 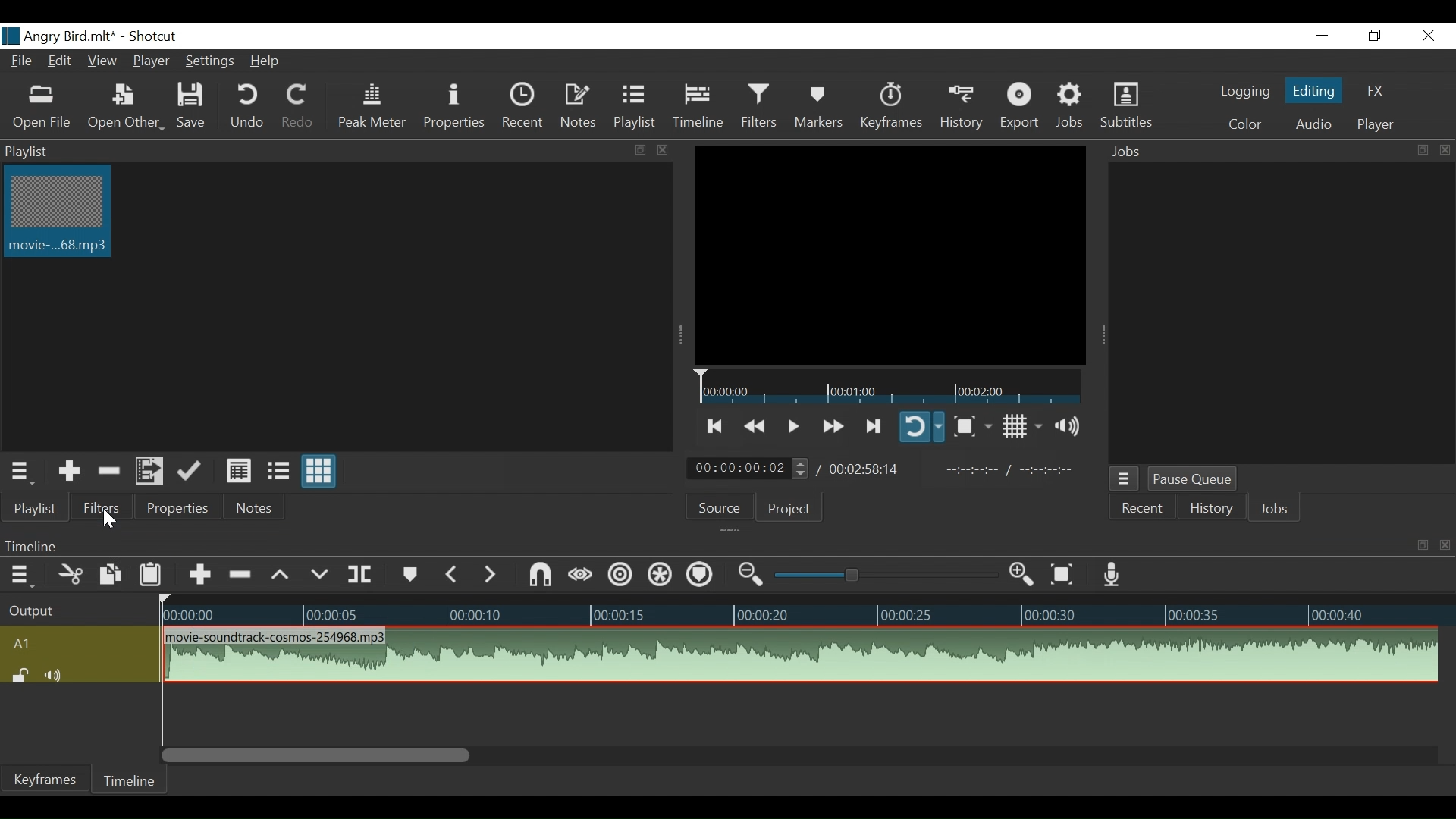 What do you see at coordinates (277, 472) in the screenshot?
I see `View as files` at bounding box center [277, 472].